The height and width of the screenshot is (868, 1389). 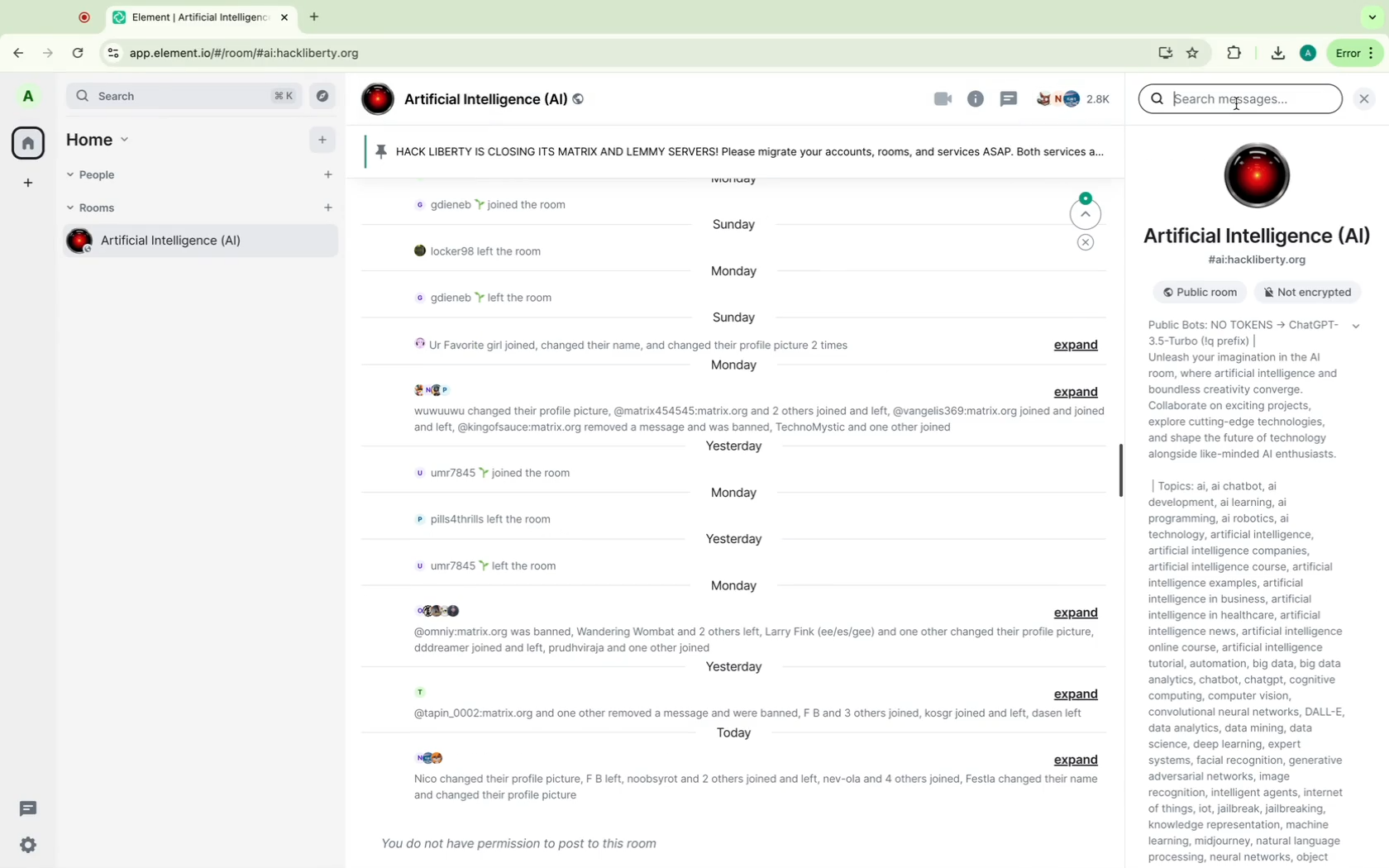 I want to click on message, so click(x=634, y=345).